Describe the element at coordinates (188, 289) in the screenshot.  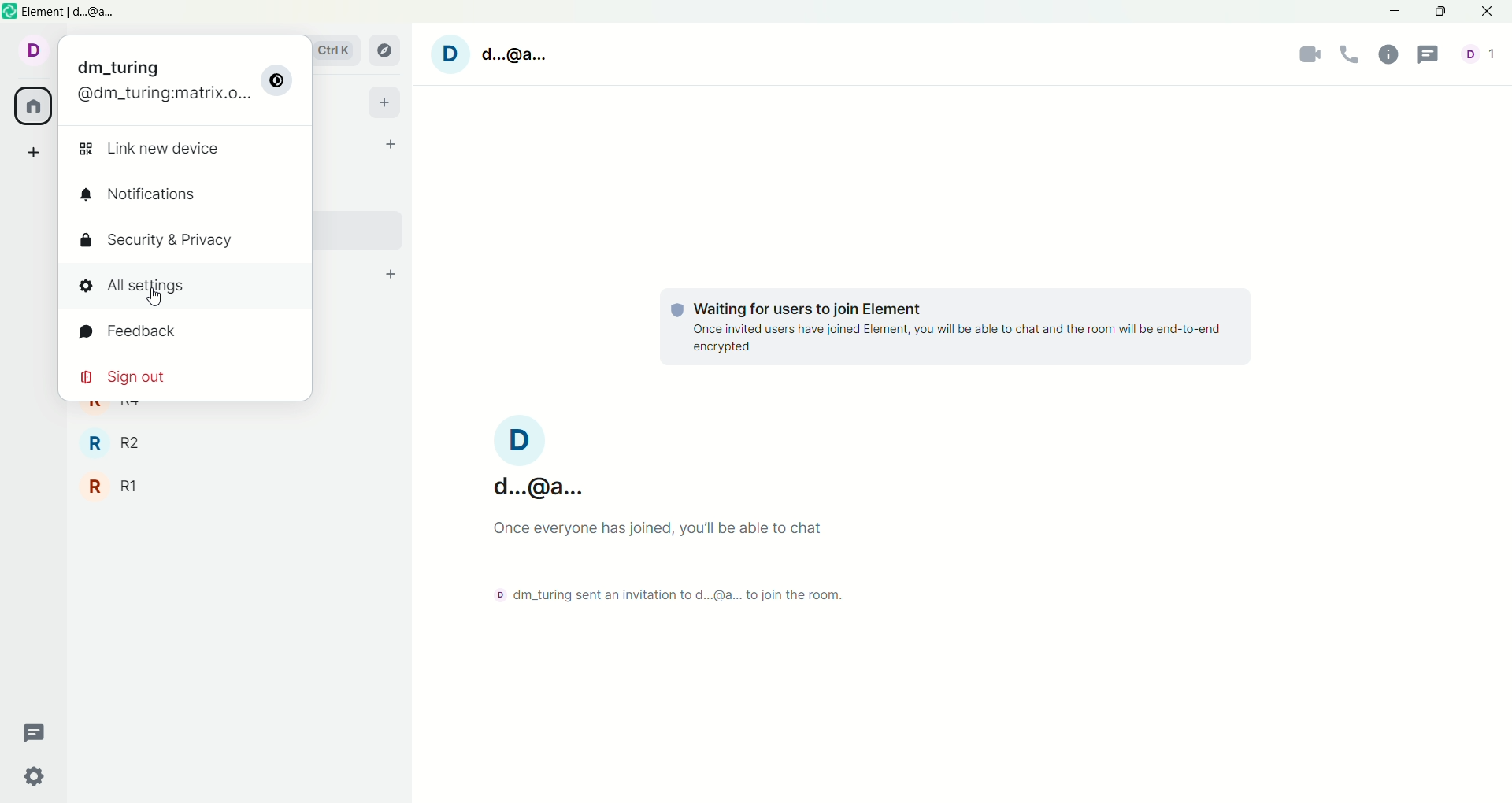
I see `all settings` at that location.